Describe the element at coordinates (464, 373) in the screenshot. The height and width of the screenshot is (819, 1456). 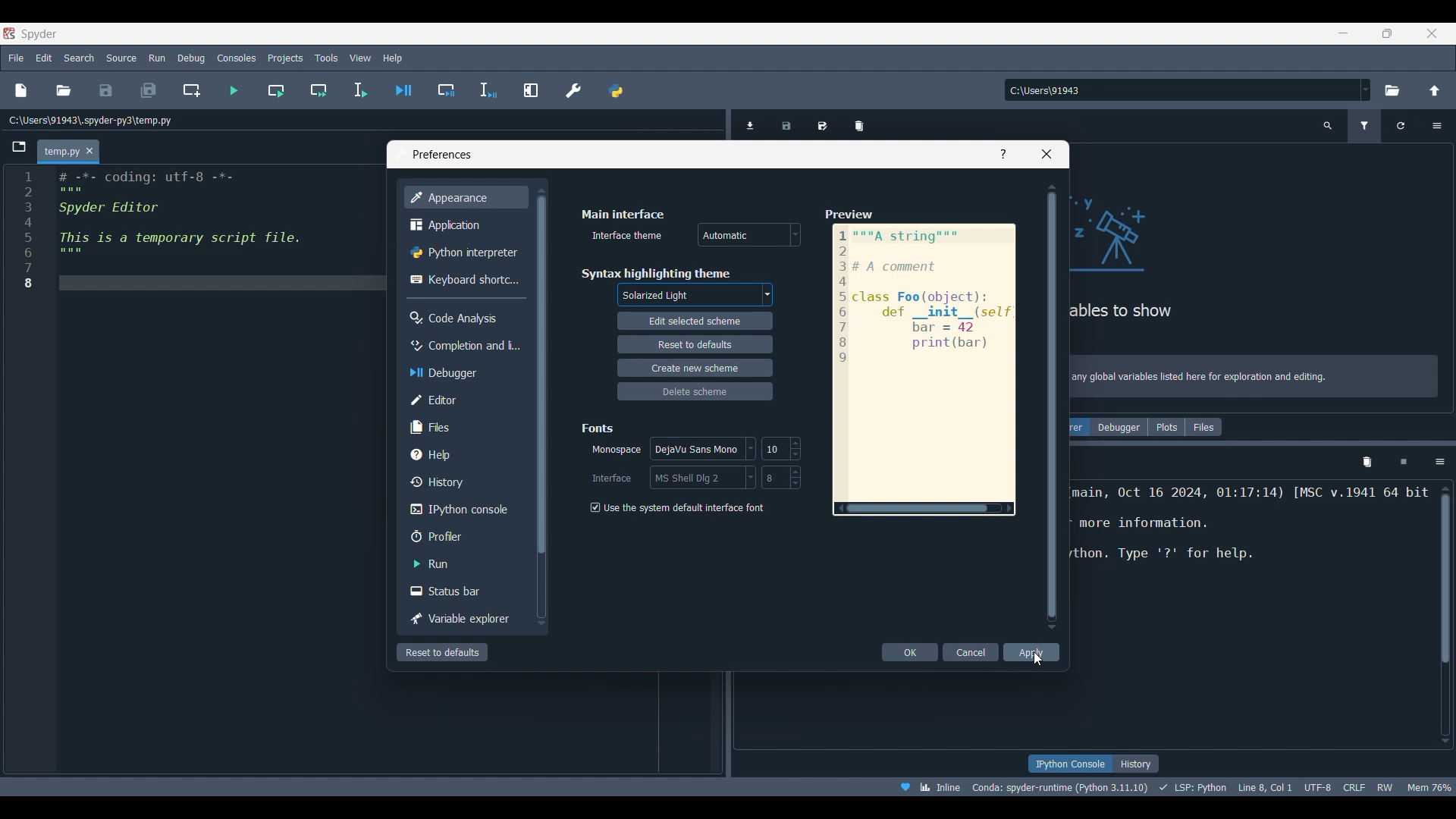
I see `Debugger` at that location.